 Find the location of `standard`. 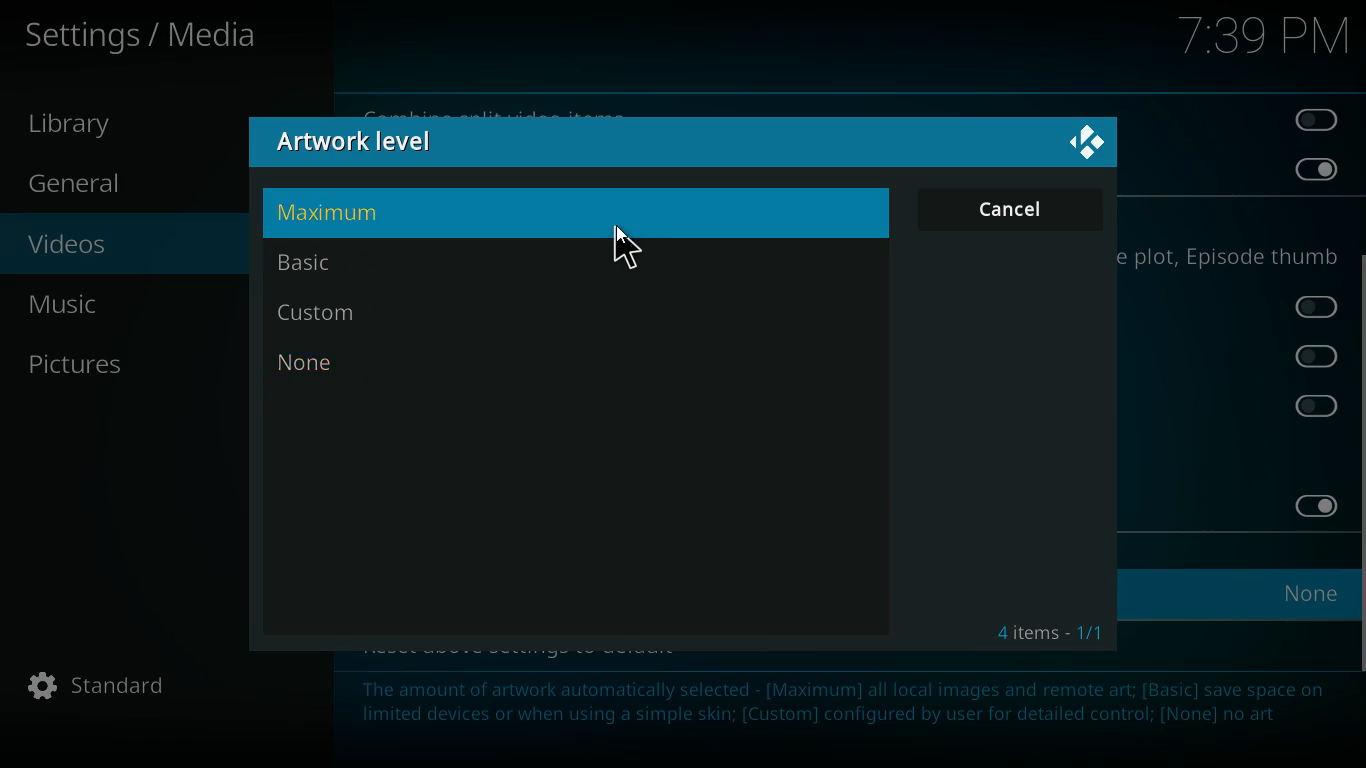

standard is located at coordinates (109, 686).